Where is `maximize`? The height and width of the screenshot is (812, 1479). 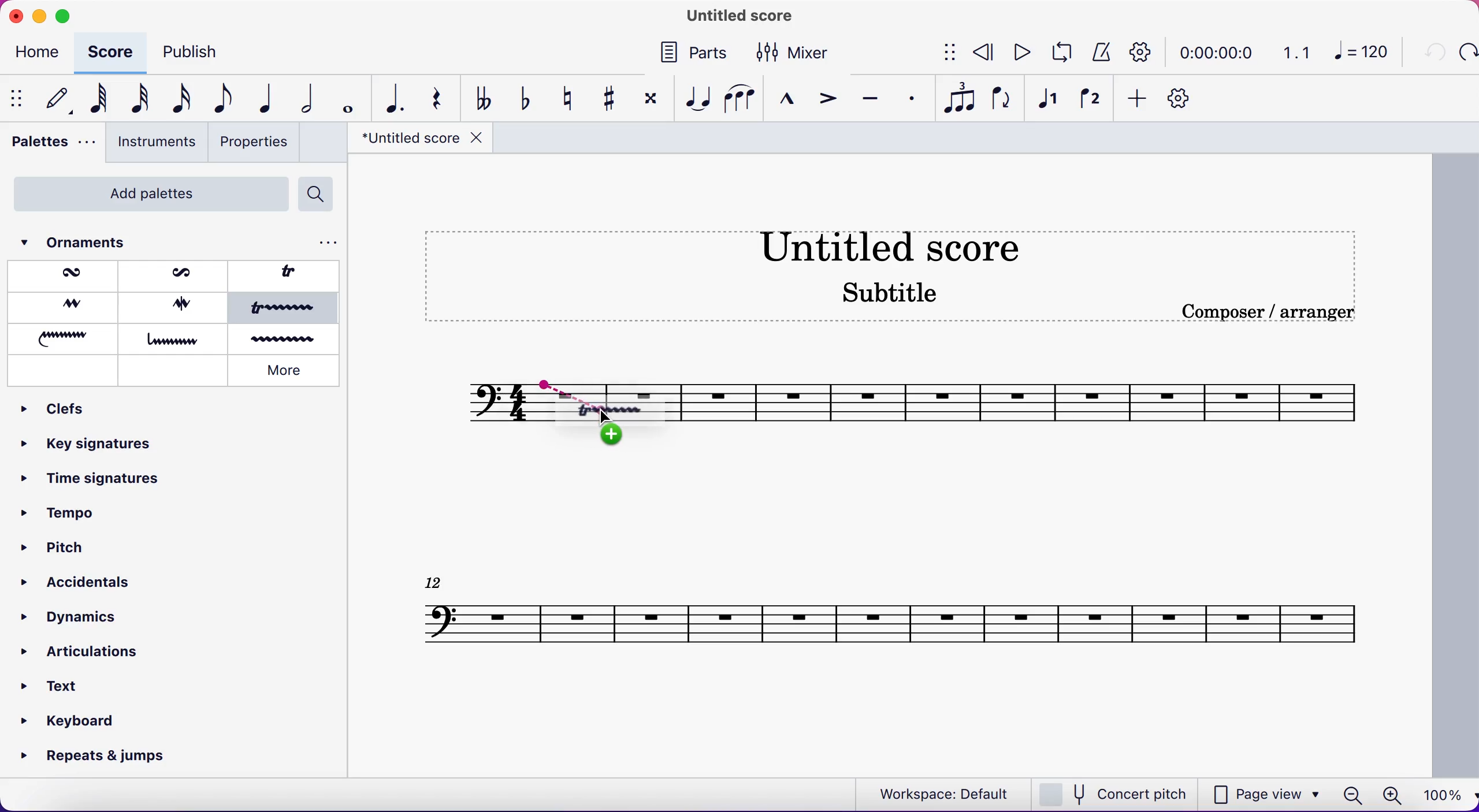
maximize is located at coordinates (64, 16).